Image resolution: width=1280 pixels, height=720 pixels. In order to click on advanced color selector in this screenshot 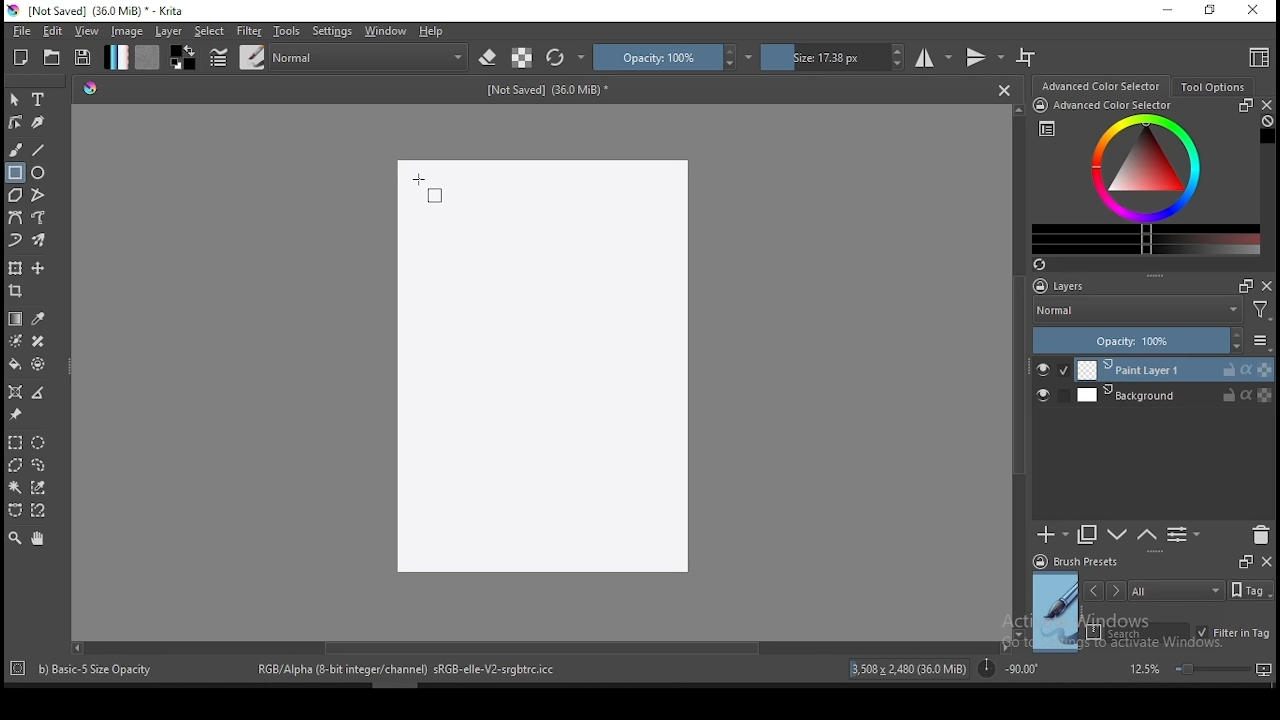, I will do `click(1142, 176)`.